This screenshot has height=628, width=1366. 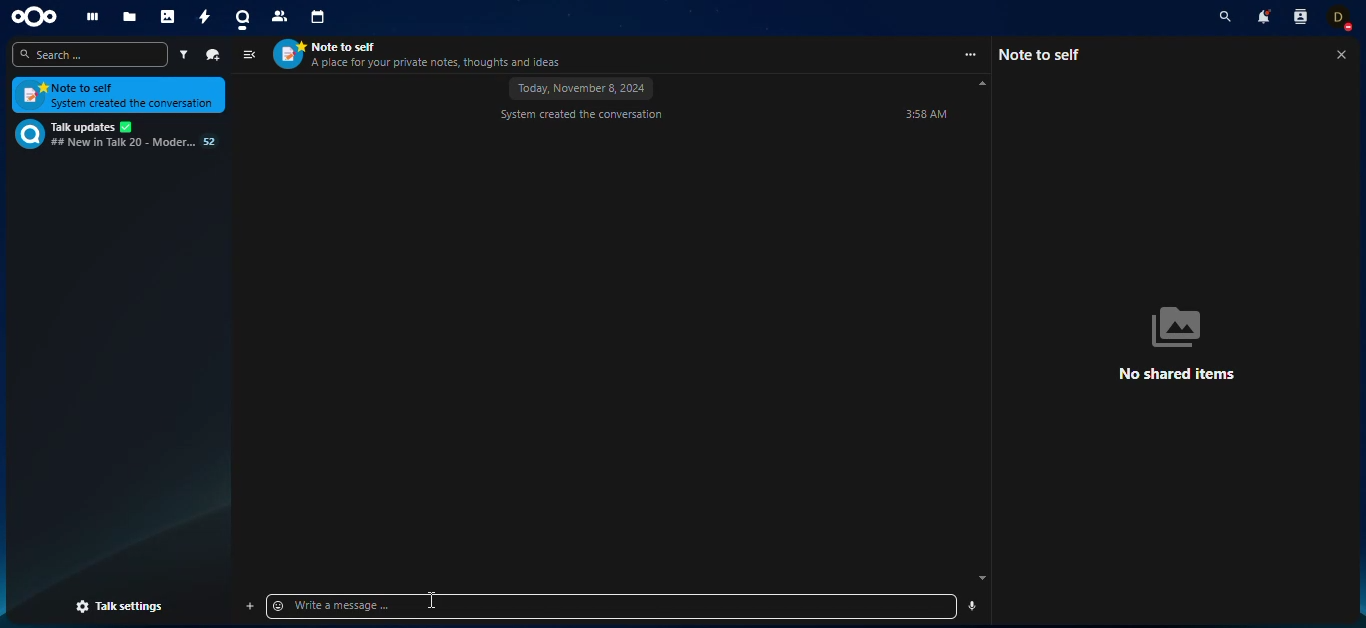 I want to click on close, so click(x=1340, y=56).